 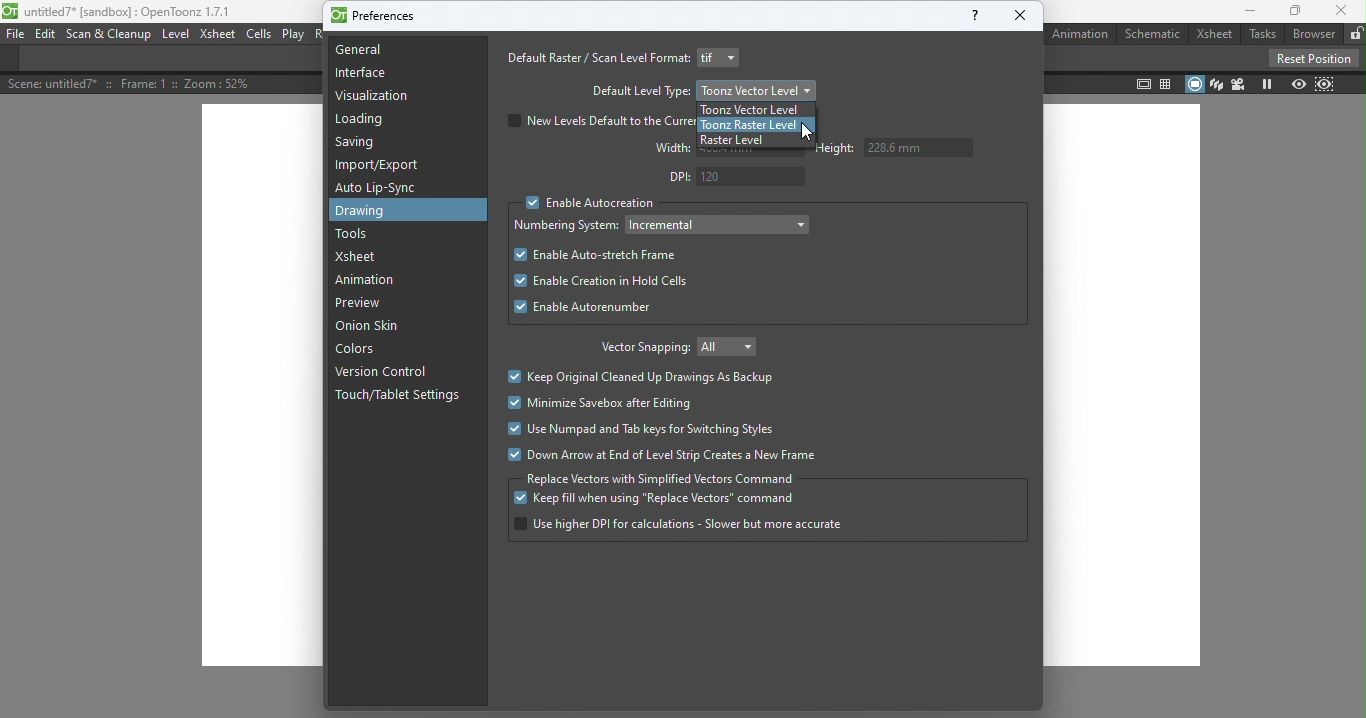 I want to click on Enable create in hold cells, so click(x=620, y=280).